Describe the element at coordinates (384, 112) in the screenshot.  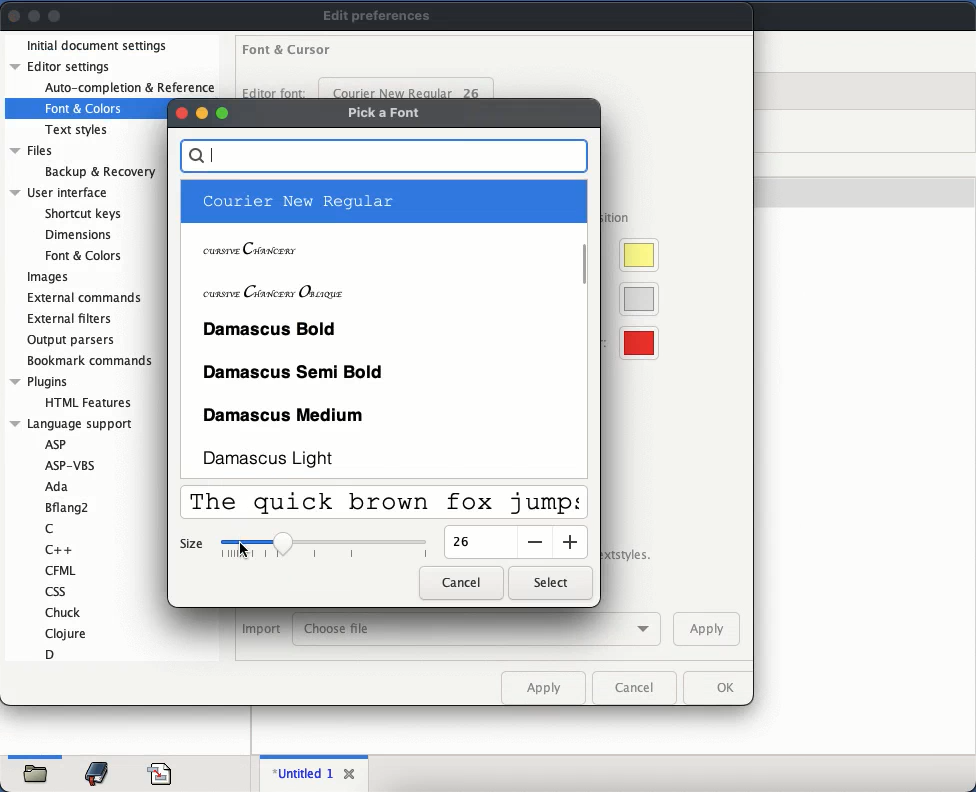
I see `pick a font` at that location.